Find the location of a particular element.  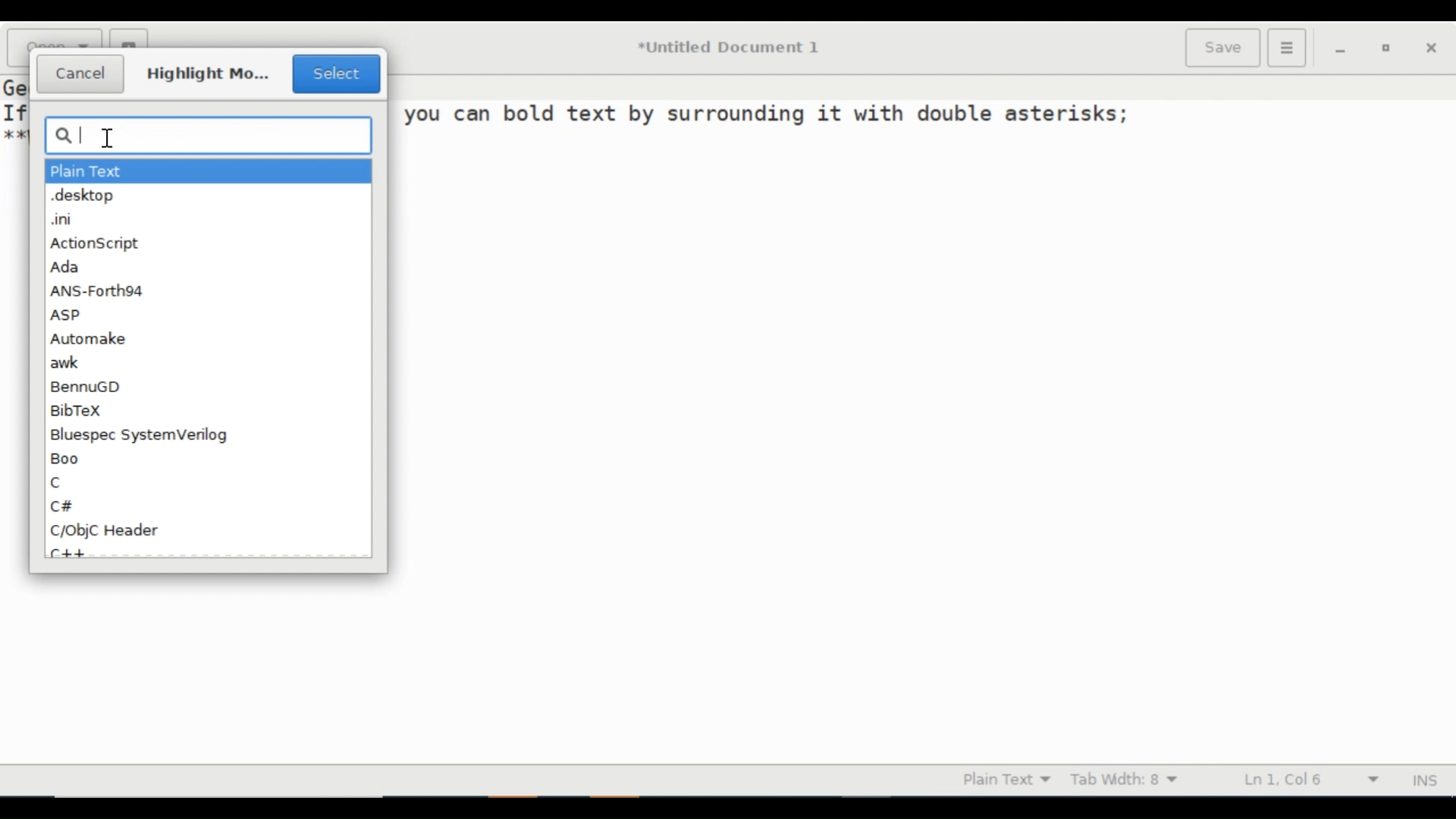

ANS-Forth94 is located at coordinates (99, 290).